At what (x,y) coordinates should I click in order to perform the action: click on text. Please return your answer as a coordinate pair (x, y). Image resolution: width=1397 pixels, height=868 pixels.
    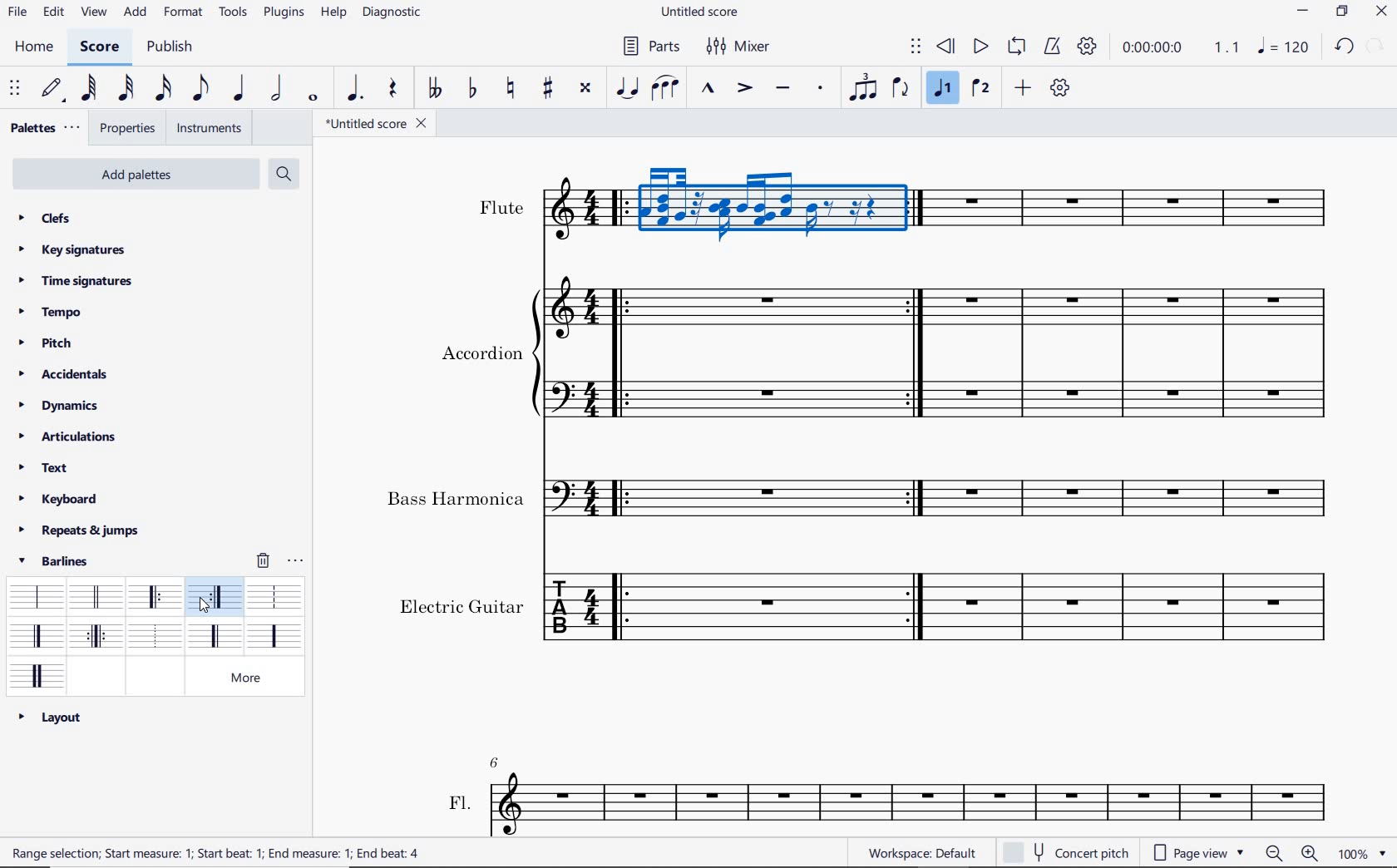
    Looking at the image, I should click on (456, 499).